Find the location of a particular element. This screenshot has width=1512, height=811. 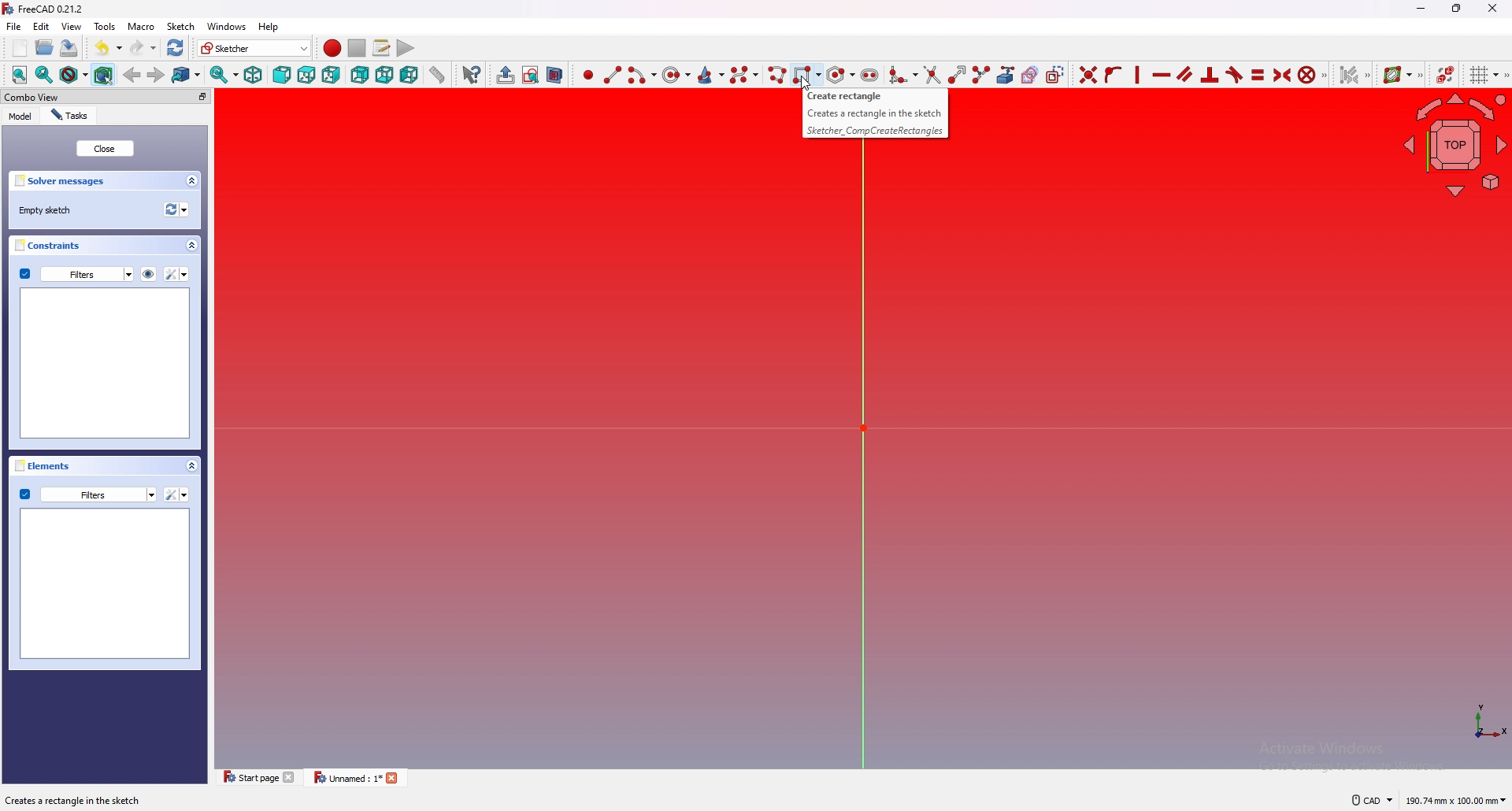

edit is located at coordinates (41, 26).